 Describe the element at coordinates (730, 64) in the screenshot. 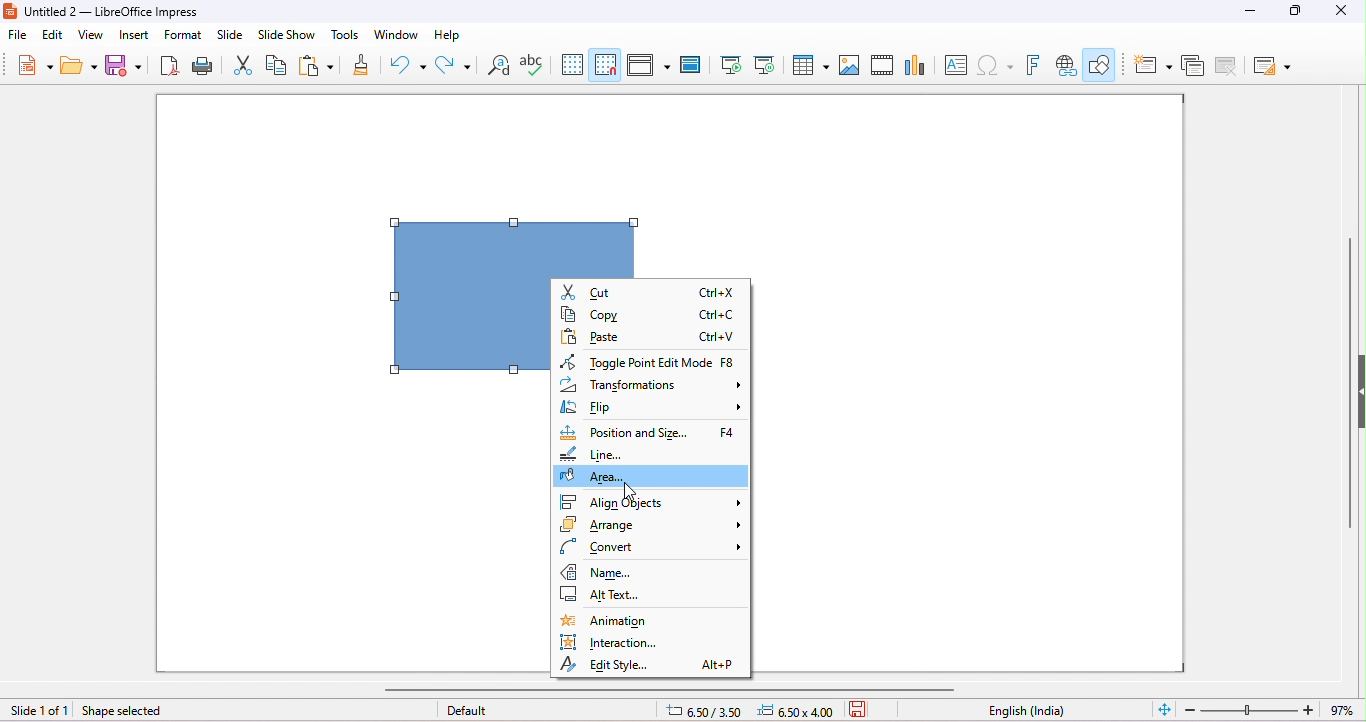

I see `start from beginning` at that location.